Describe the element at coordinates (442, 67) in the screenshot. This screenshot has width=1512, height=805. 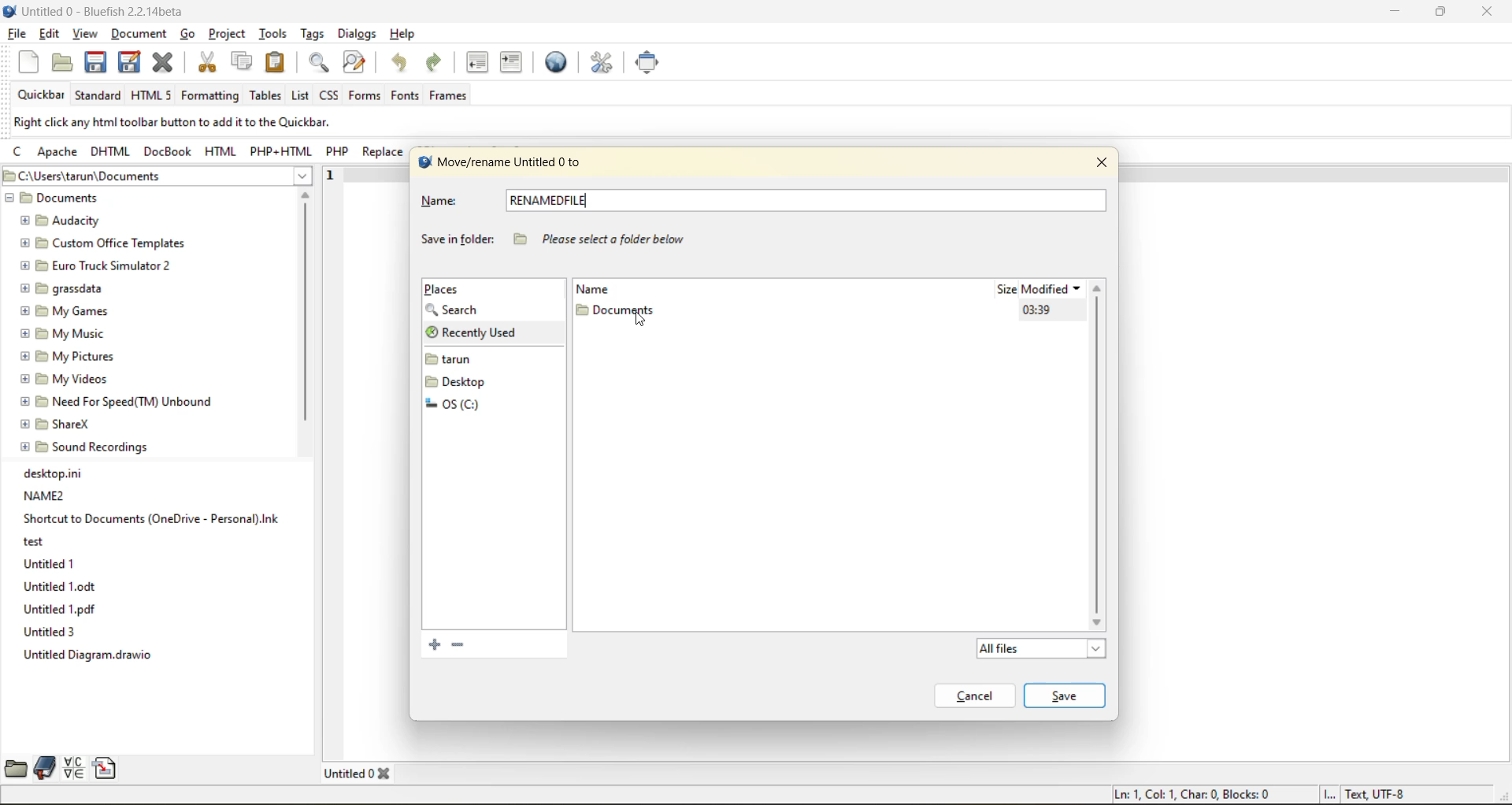
I see `redo` at that location.